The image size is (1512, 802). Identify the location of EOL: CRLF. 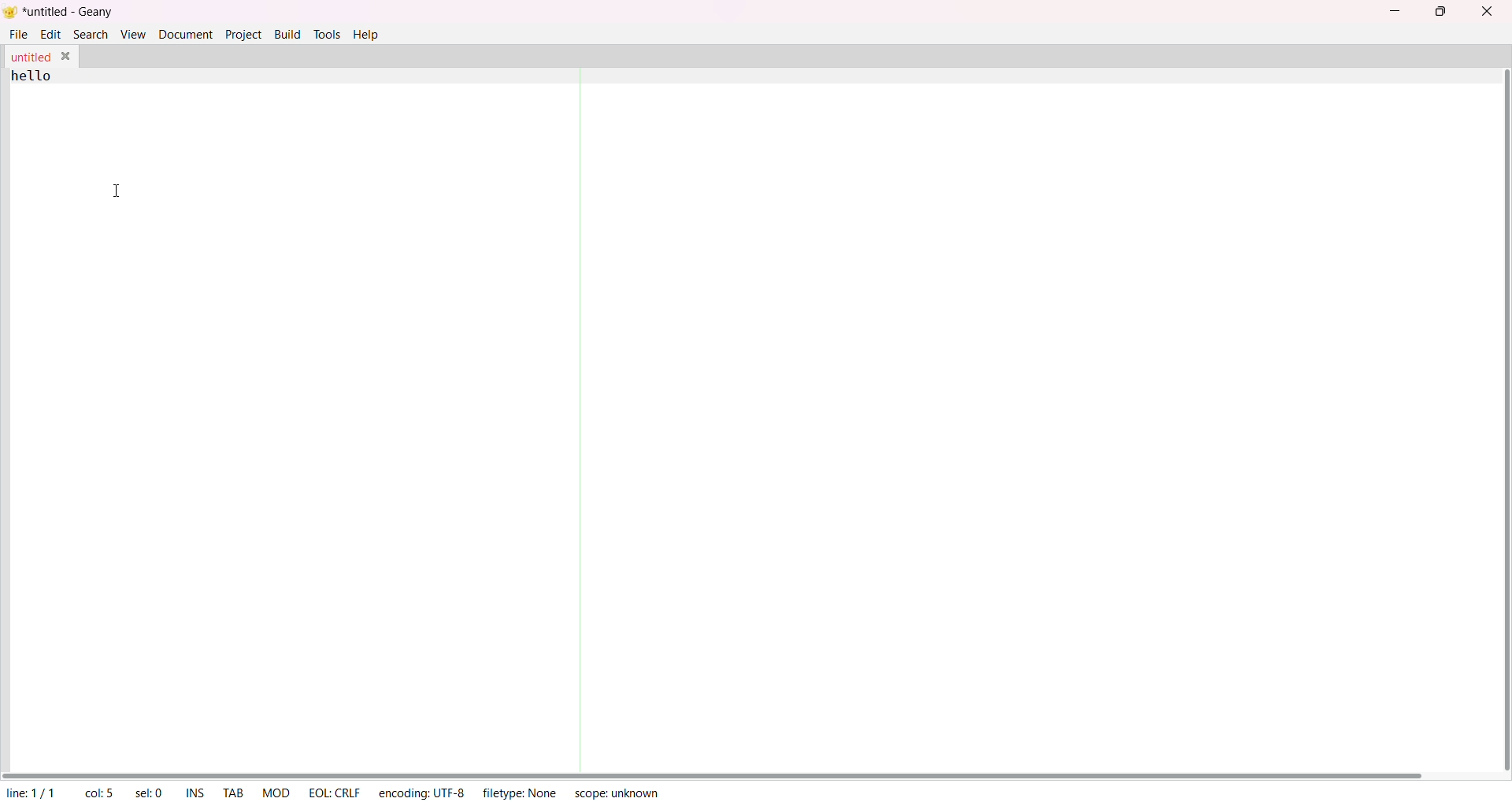
(334, 793).